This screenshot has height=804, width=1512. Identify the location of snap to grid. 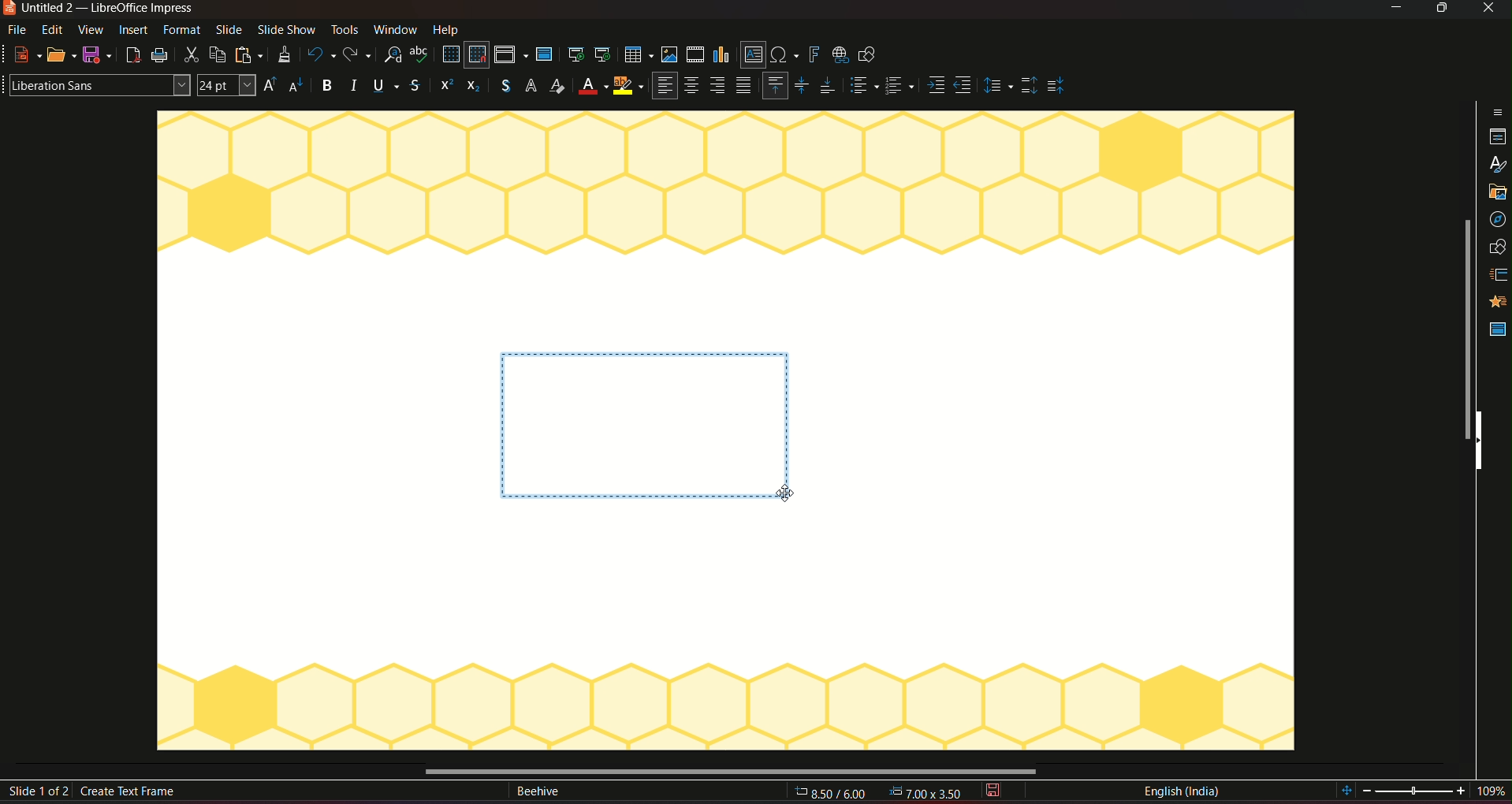
(478, 55).